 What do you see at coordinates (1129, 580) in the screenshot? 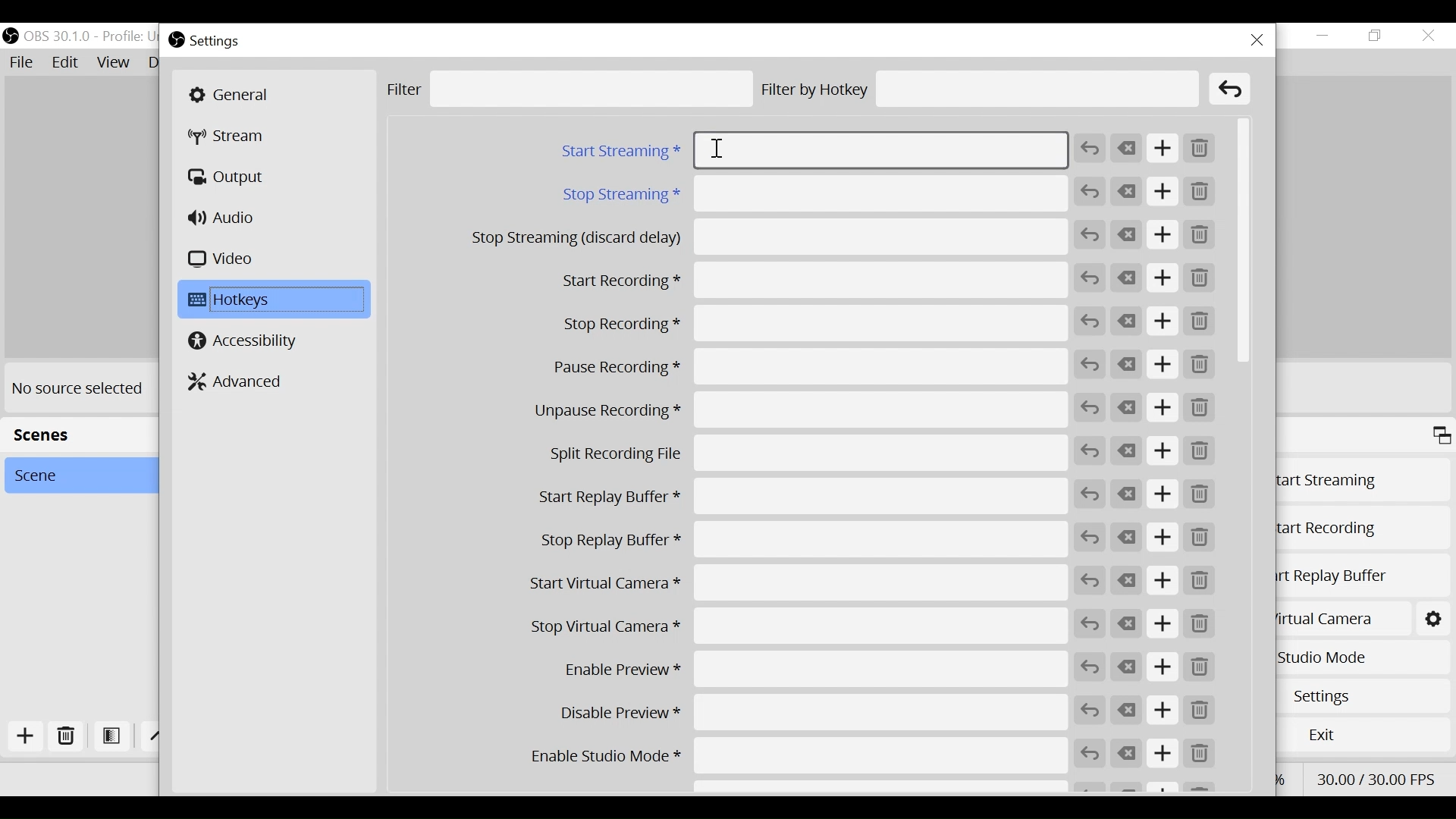
I see `Clear` at bounding box center [1129, 580].